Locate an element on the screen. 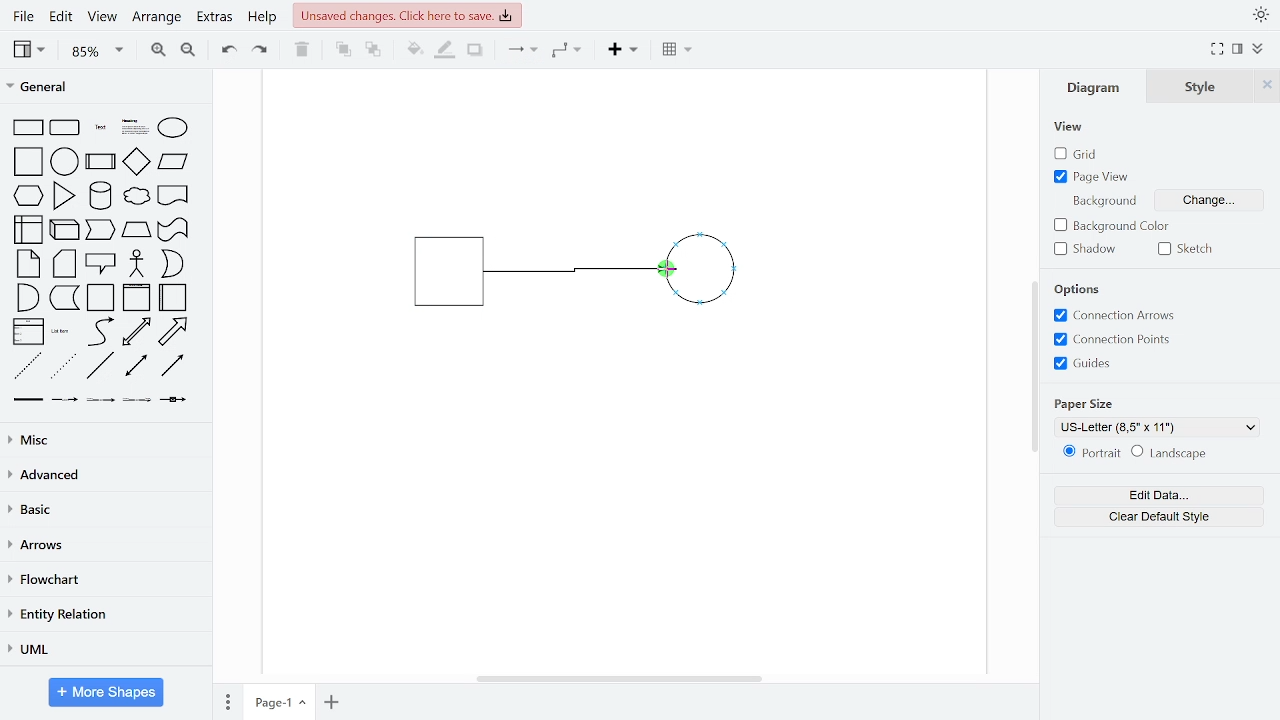 This screenshot has height=720, width=1280. pages is located at coordinates (226, 699).